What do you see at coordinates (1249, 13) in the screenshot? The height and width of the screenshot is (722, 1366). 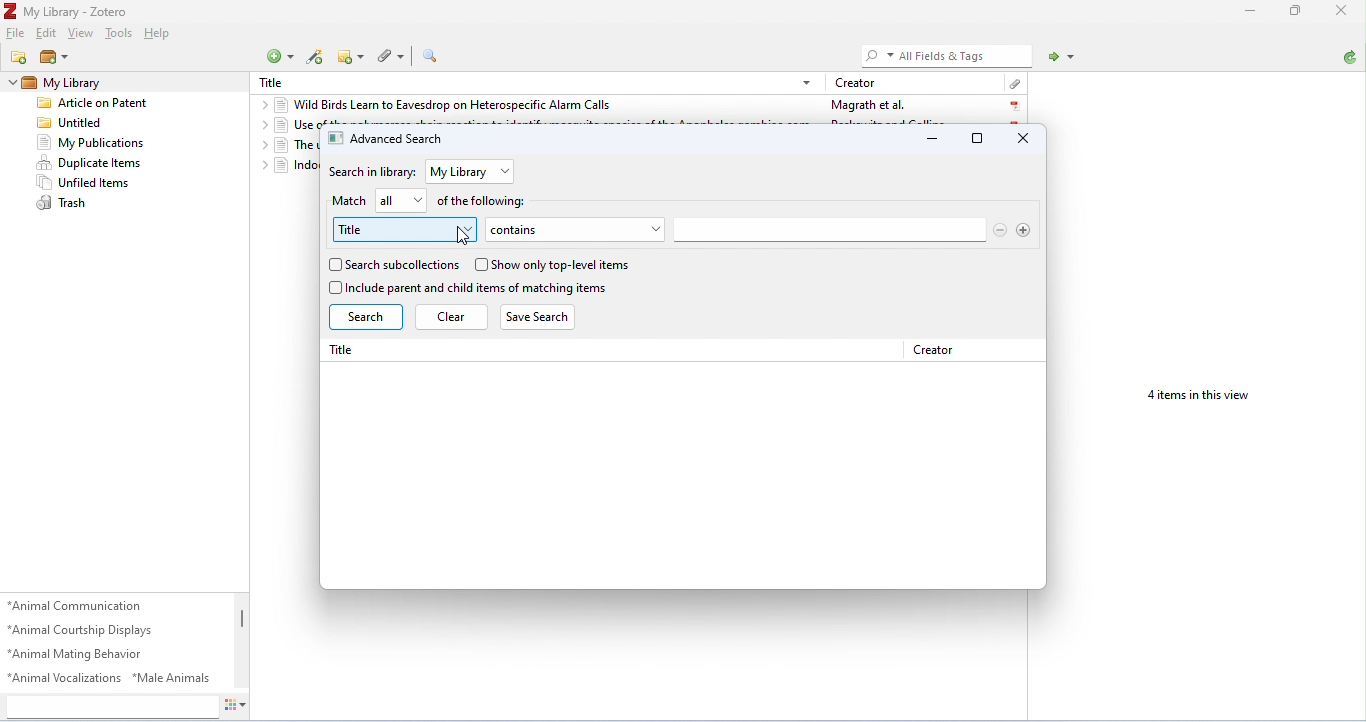 I see `minimize` at bounding box center [1249, 13].